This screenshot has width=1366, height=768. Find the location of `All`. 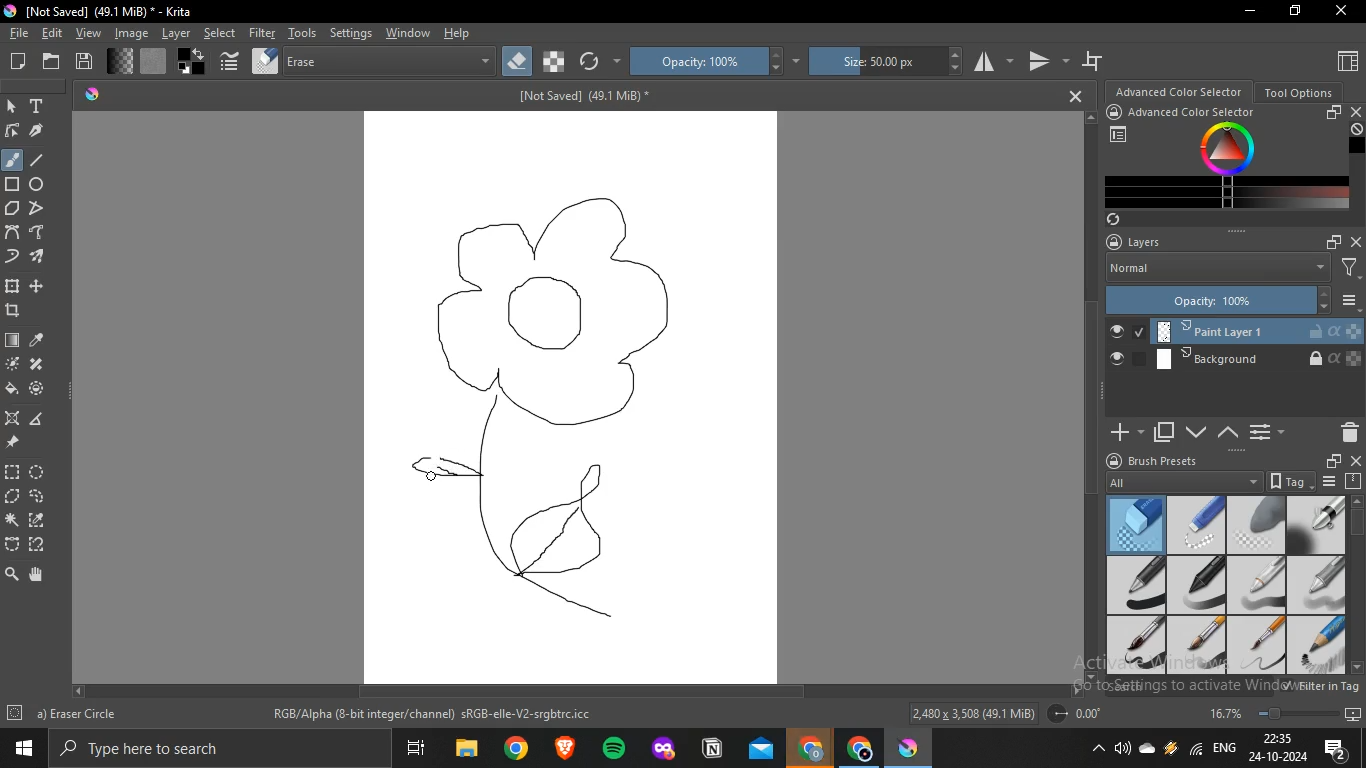

All is located at coordinates (1182, 480).